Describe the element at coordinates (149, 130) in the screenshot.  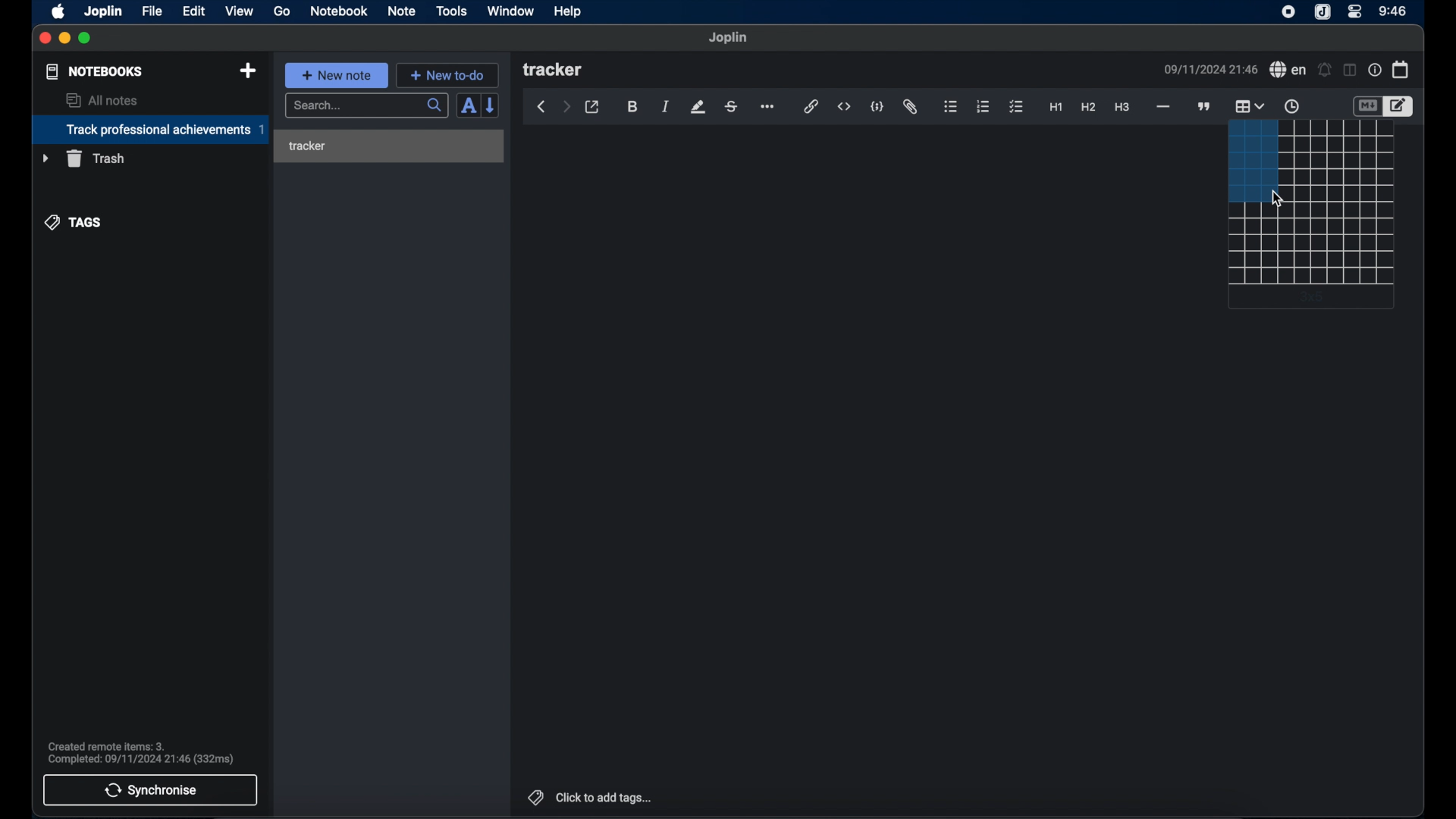
I see `track professional achievements` at that location.